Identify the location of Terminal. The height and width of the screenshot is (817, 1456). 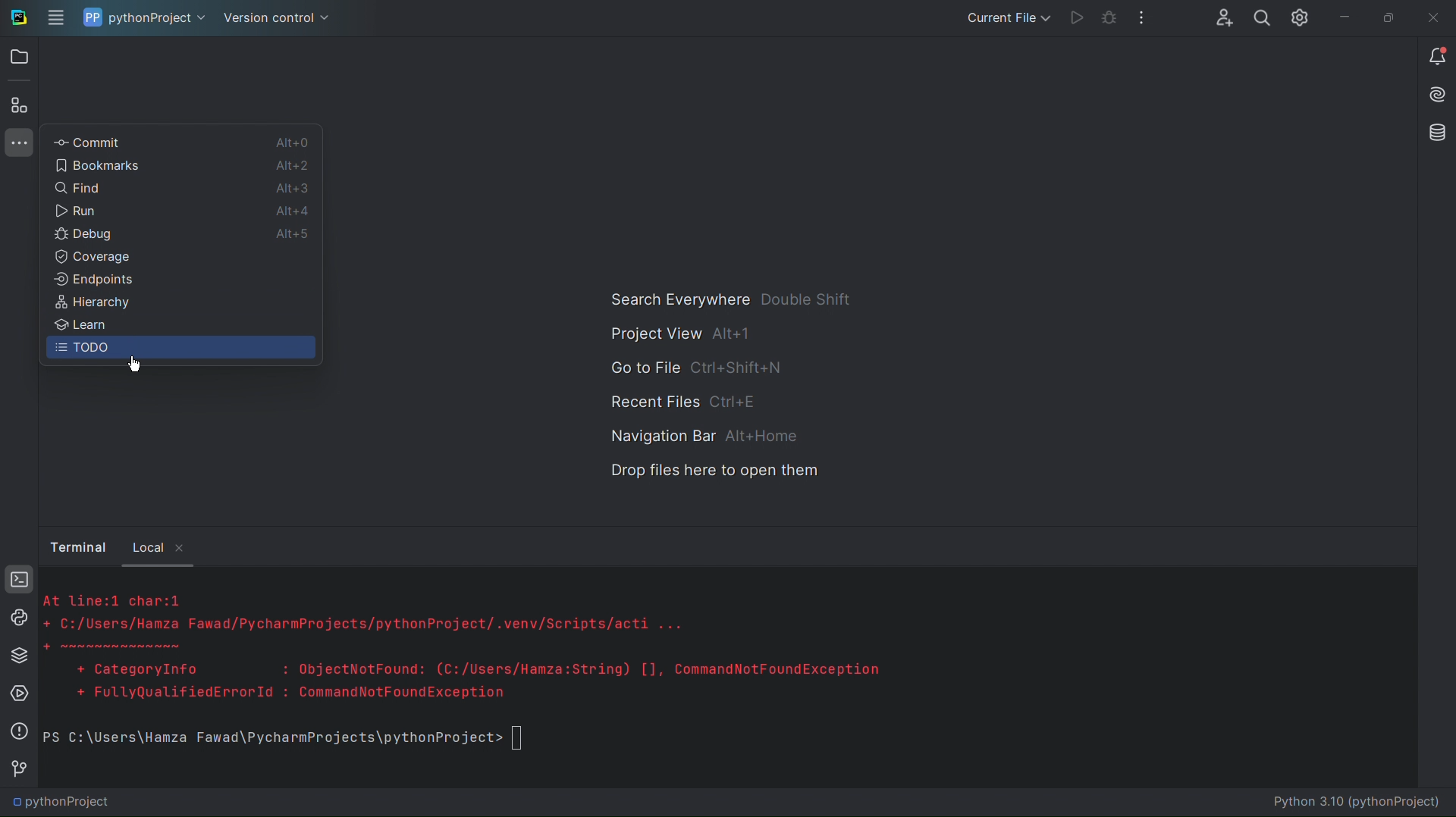
(19, 581).